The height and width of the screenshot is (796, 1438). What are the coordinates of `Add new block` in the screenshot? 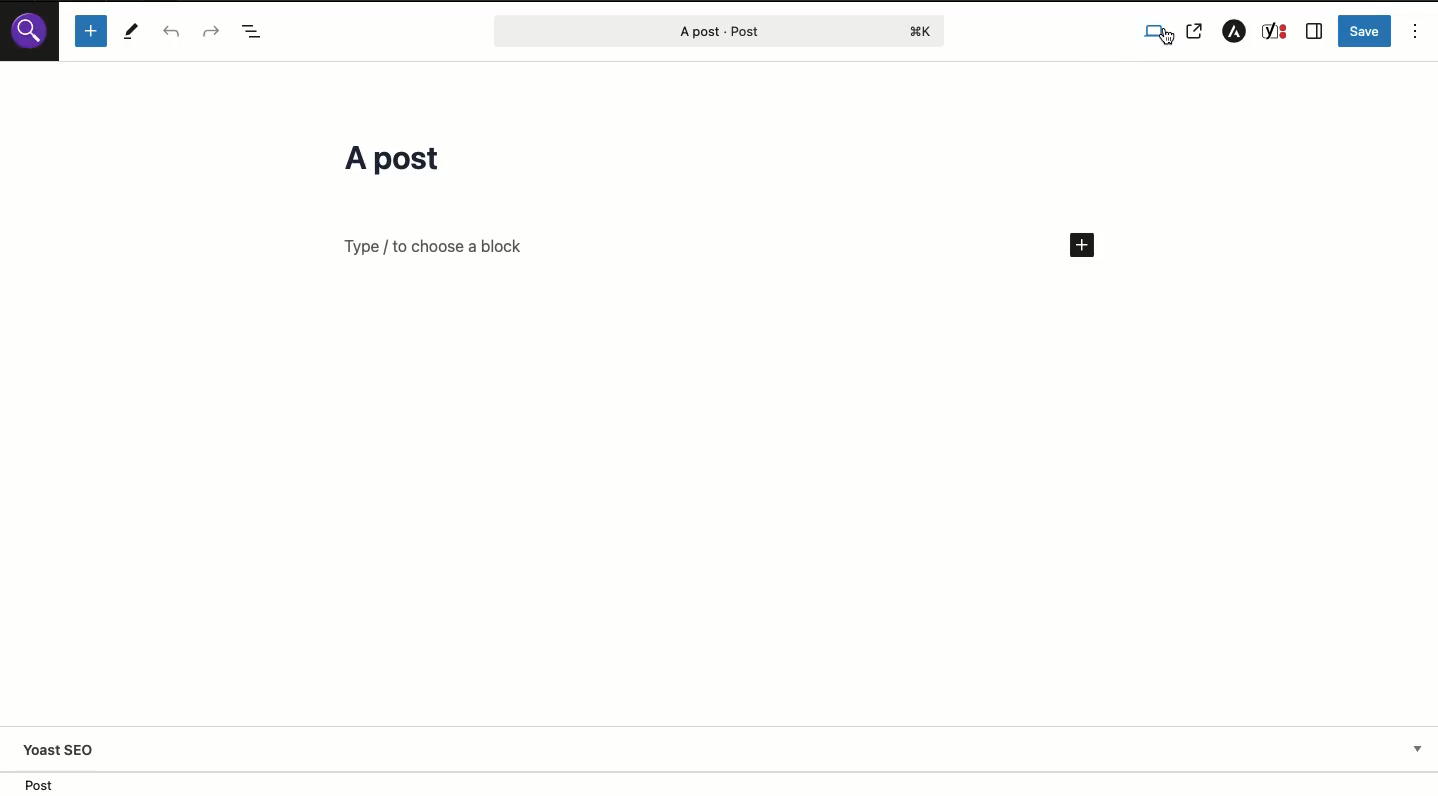 It's located at (1083, 246).